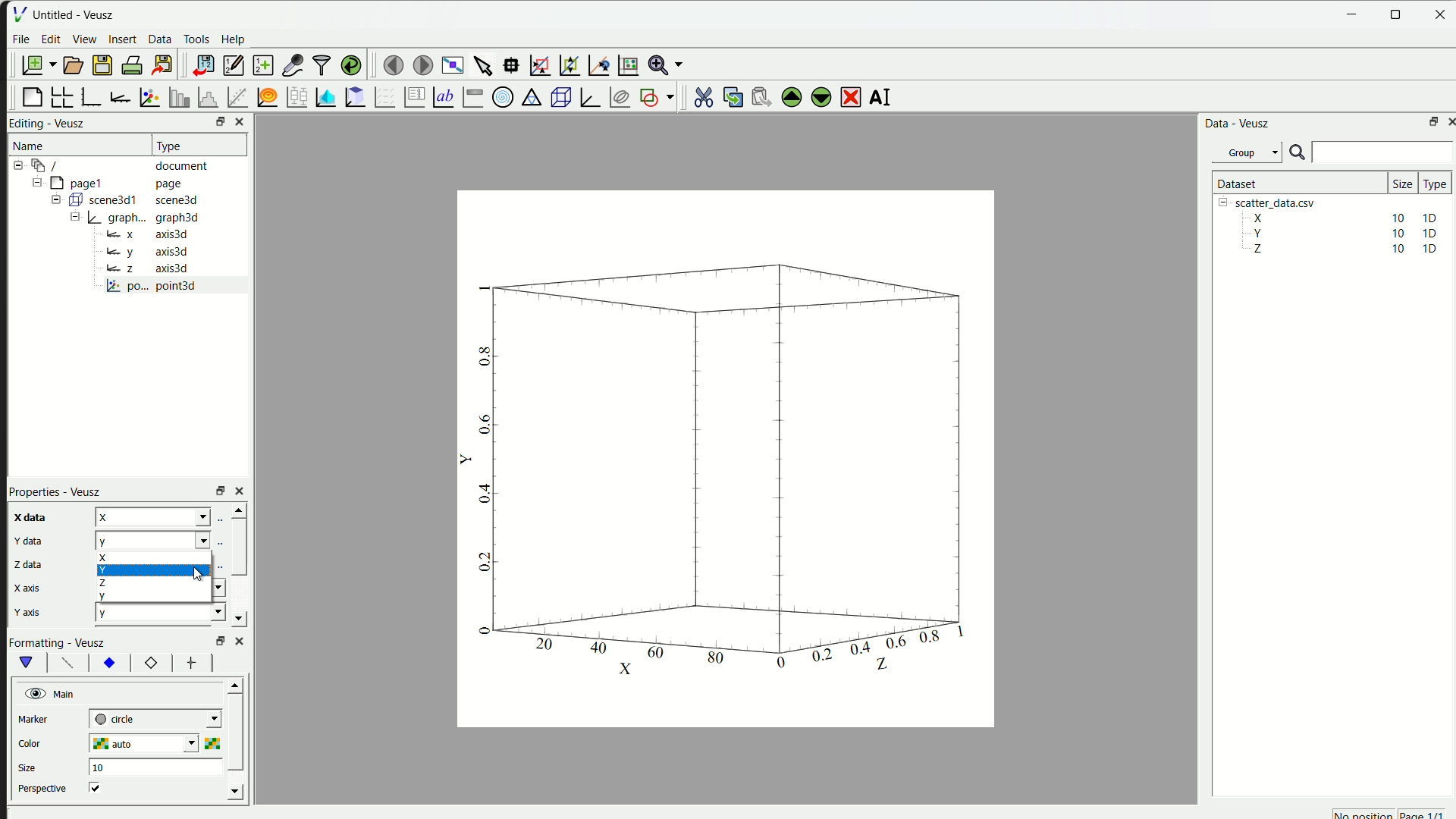  Describe the element at coordinates (1432, 184) in the screenshot. I see `| Type` at that location.